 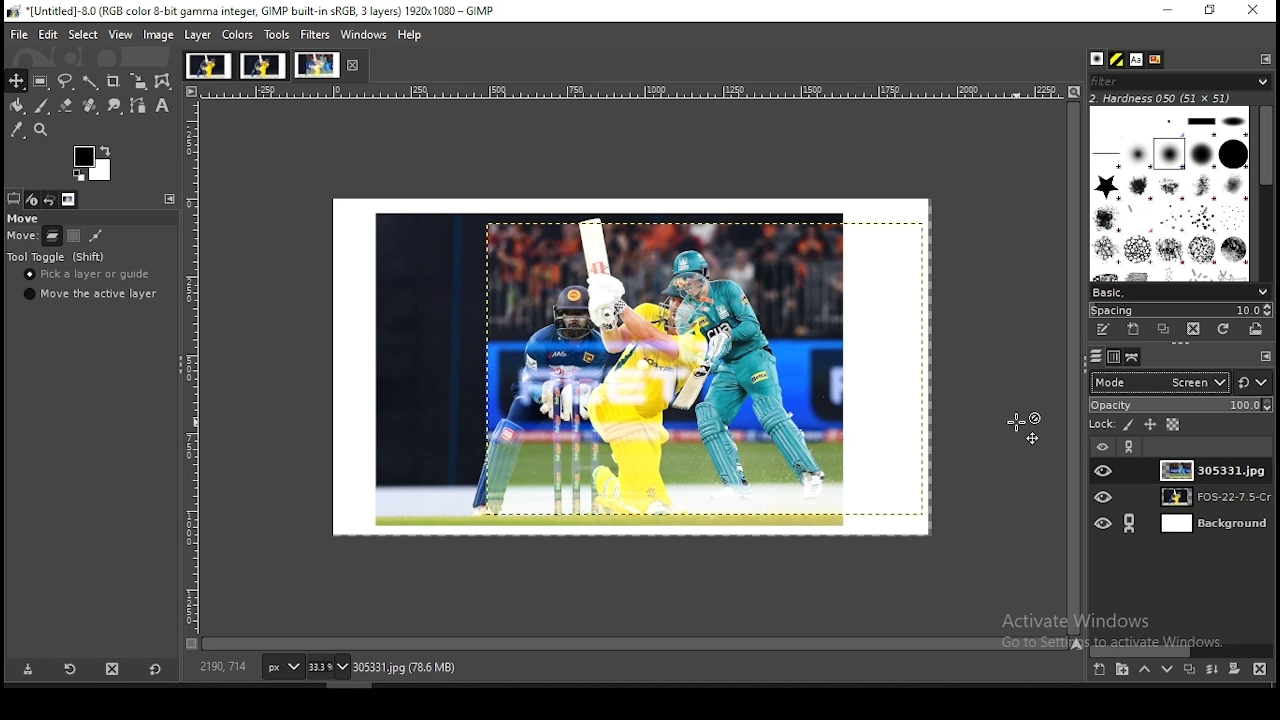 I want to click on reset to defaults, so click(x=155, y=671).